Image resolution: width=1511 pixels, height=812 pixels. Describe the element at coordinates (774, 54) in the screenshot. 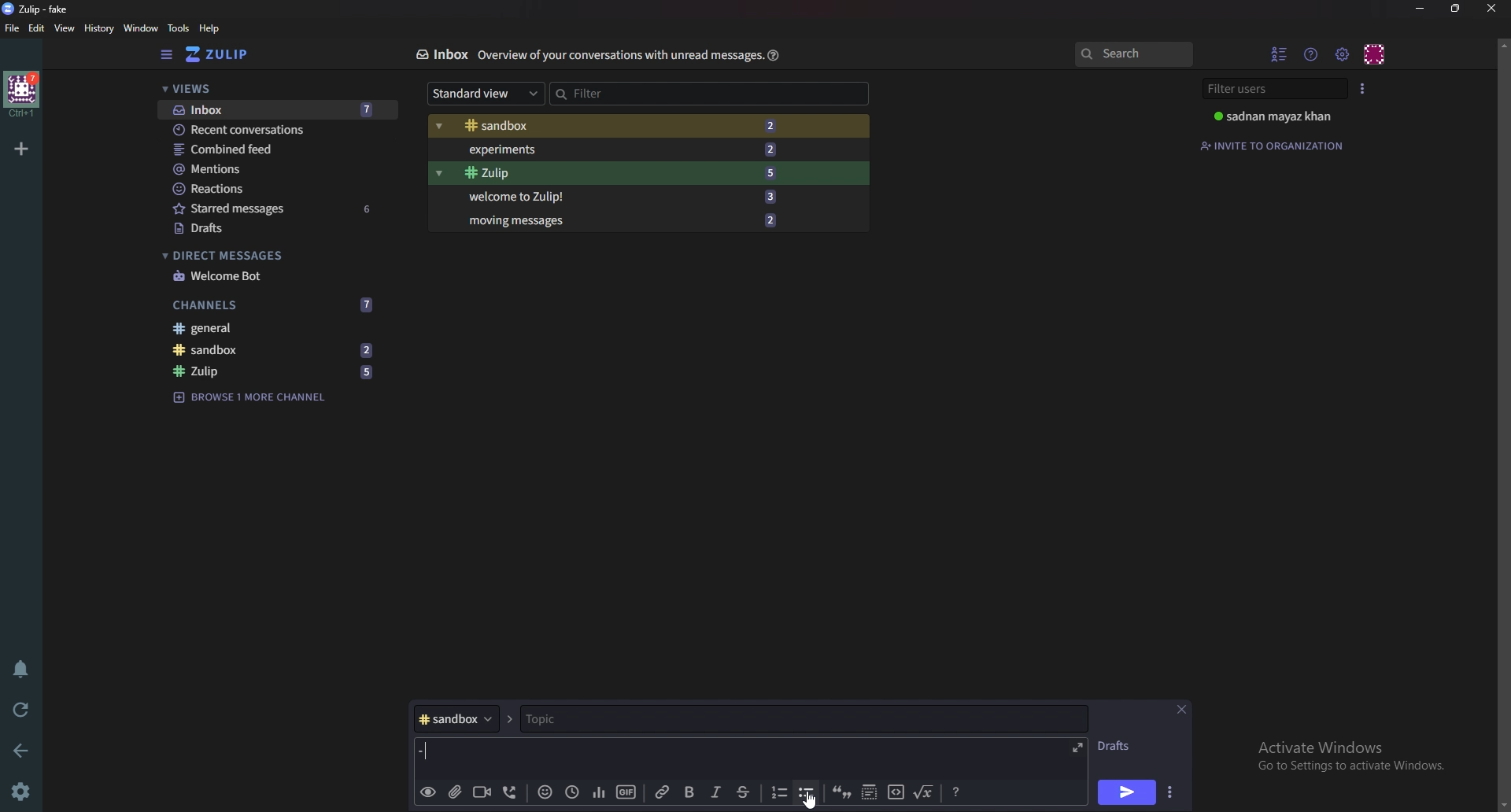

I see `Help` at that location.